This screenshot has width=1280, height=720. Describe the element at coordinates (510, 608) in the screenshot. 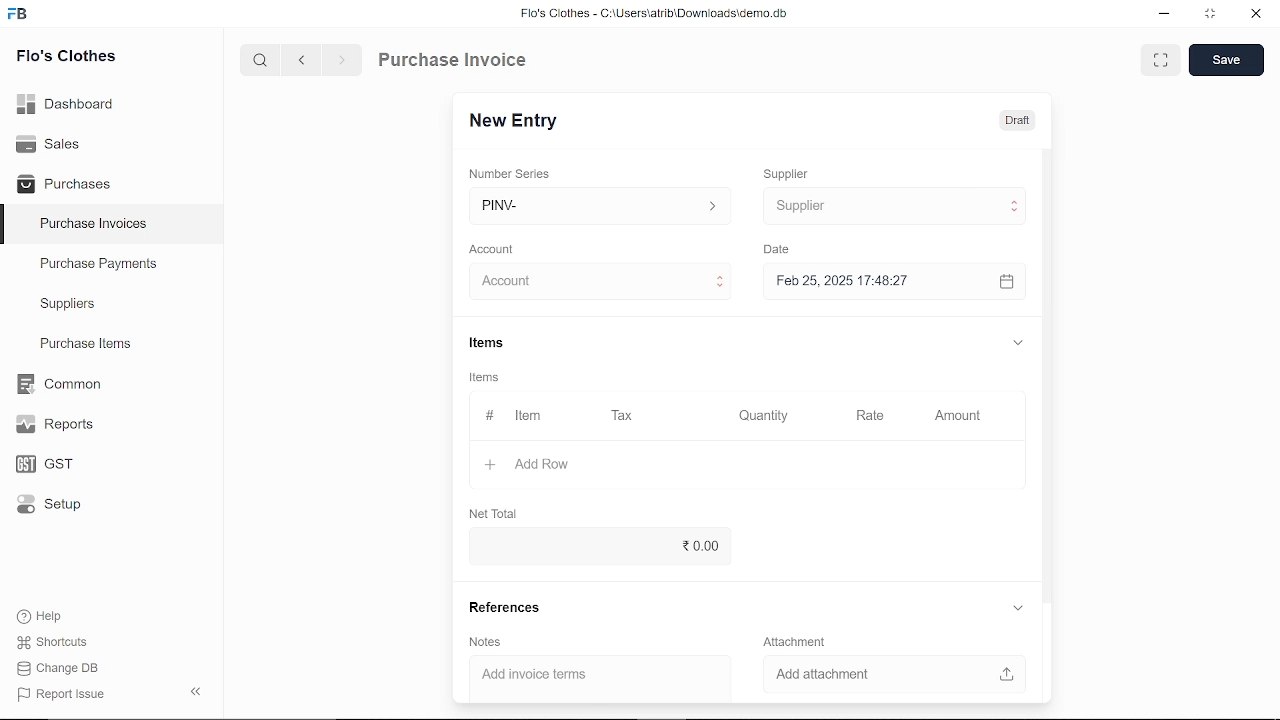

I see `References.` at that location.